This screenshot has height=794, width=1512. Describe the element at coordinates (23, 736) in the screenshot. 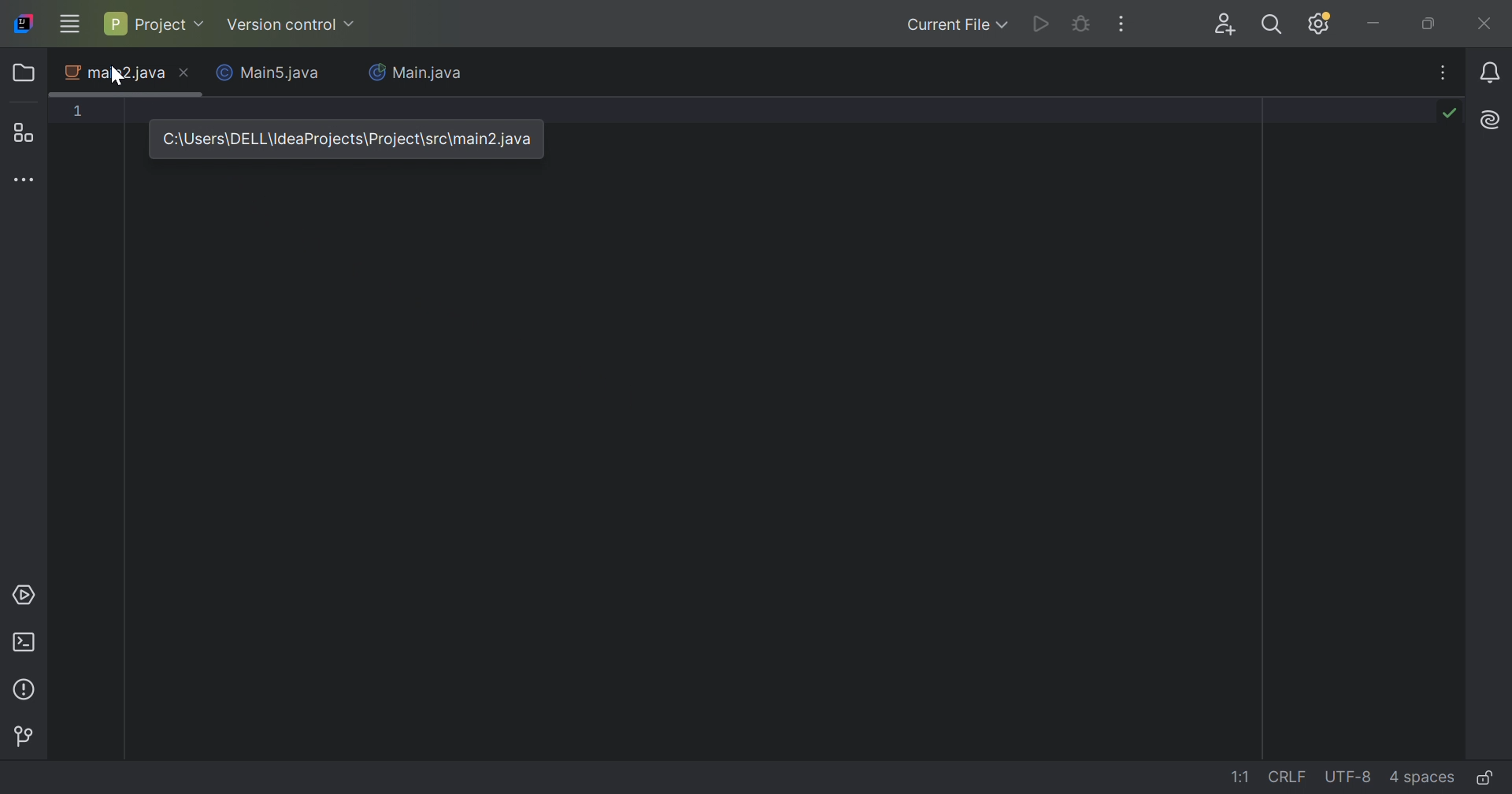

I see `` at that location.